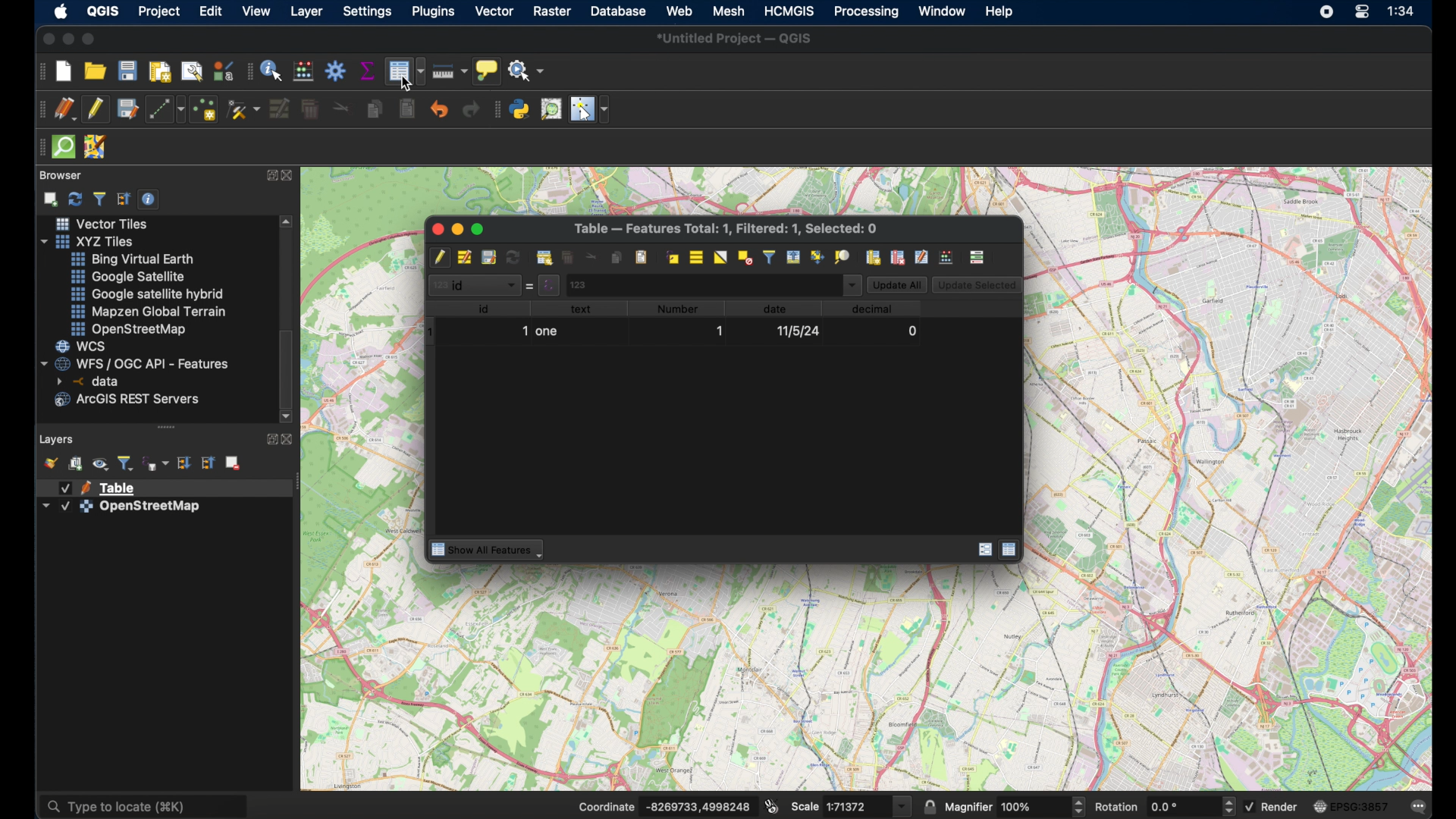 The image size is (1456, 819). What do you see at coordinates (158, 12) in the screenshot?
I see `project` at bounding box center [158, 12].